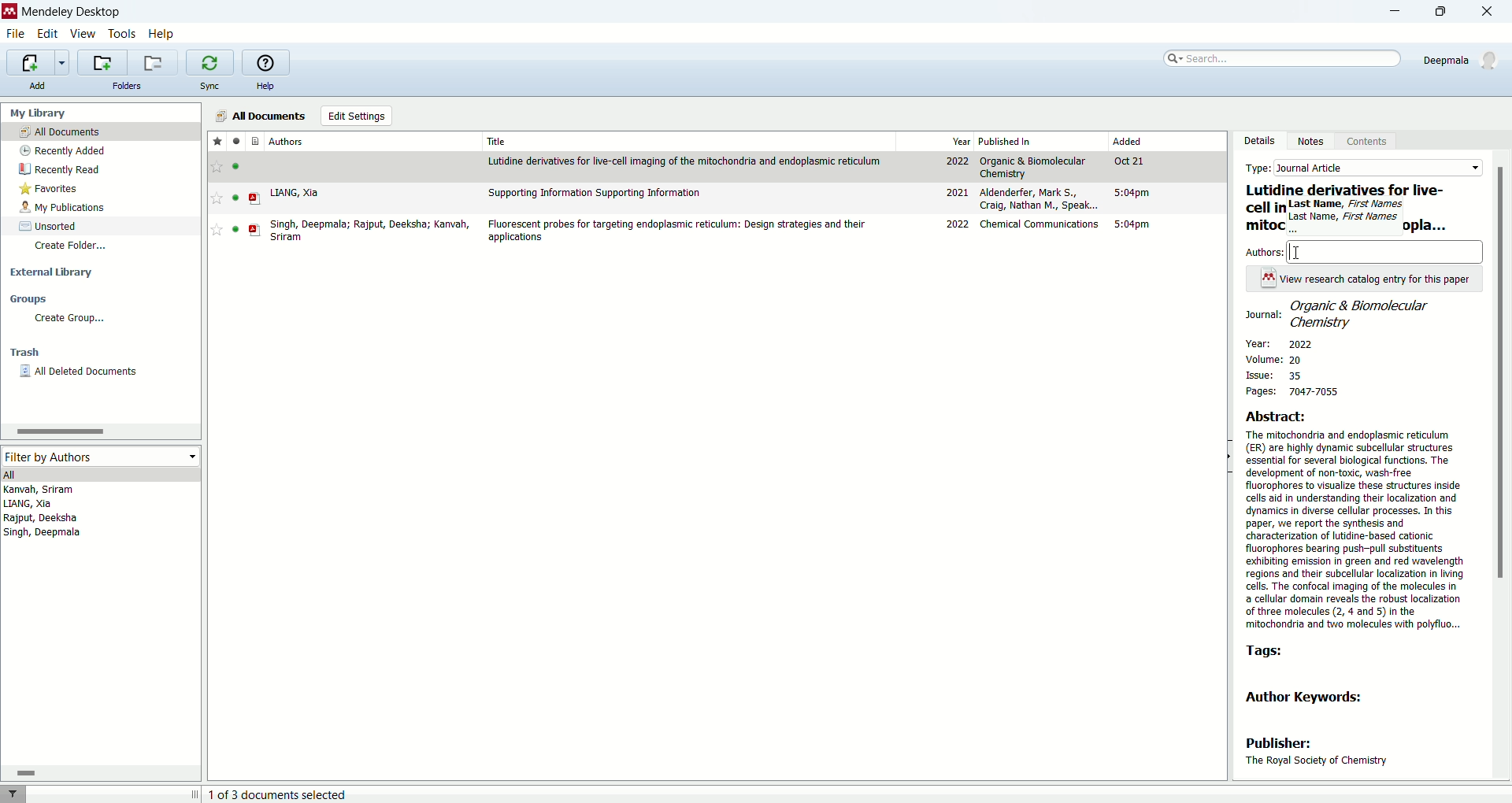  What do you see at coordinates (1364, 142) in the screenshot?
I see `content` at bounding box center [1364, 142].